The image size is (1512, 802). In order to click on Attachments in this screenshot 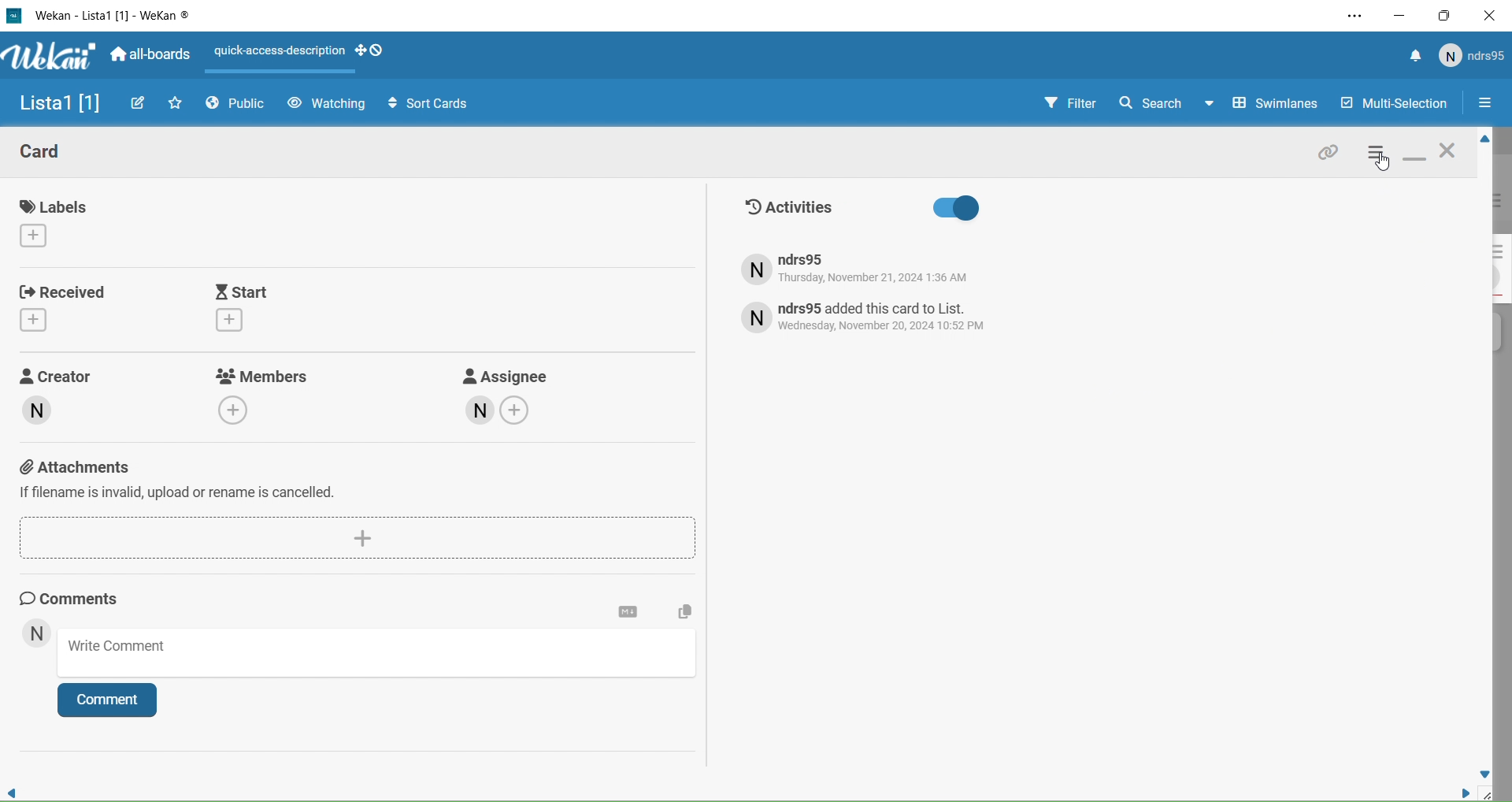, I will do `click(358, 480)`.